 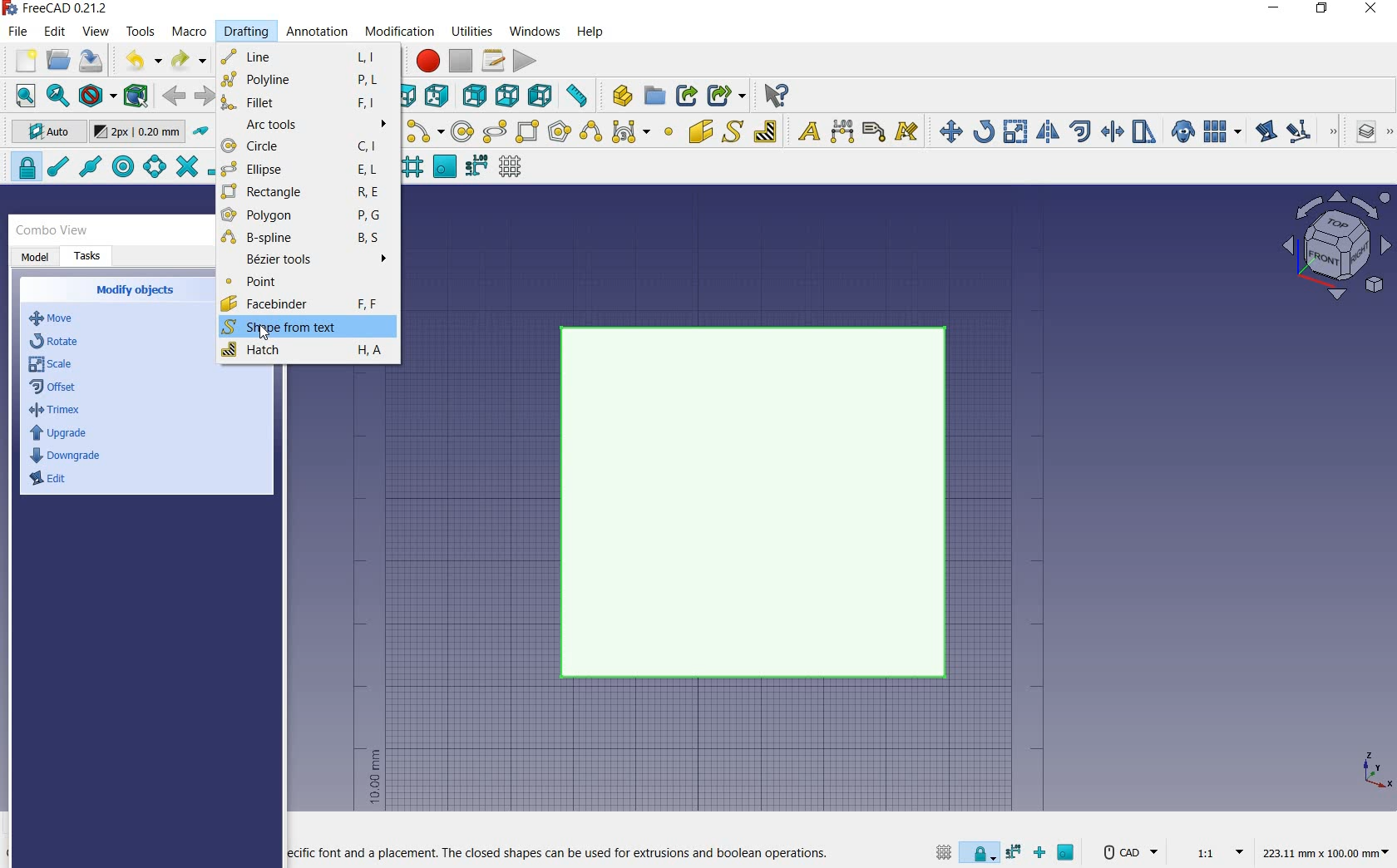 I want to click on close, so click(x=1370, y=10).